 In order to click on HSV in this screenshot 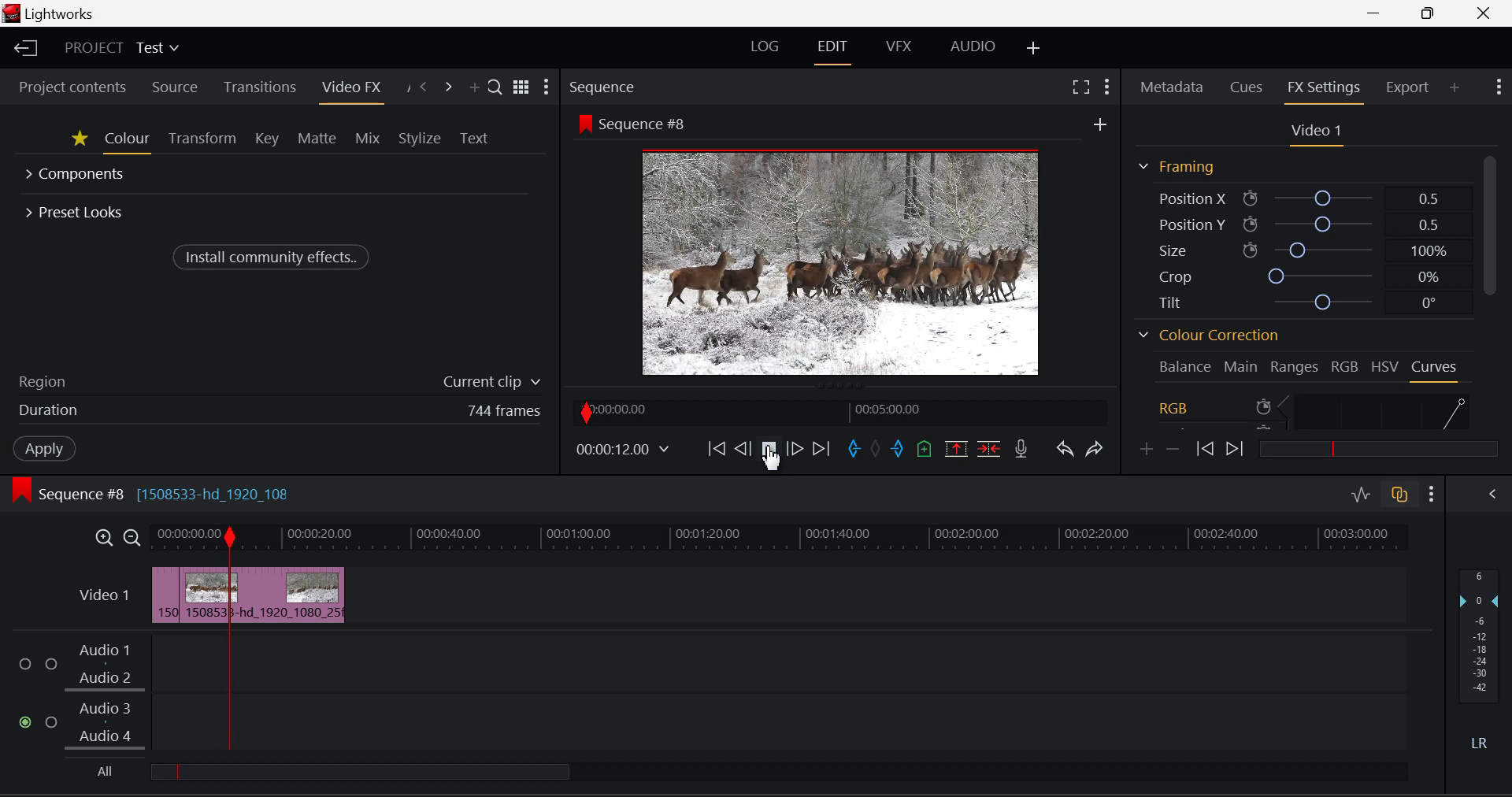, I will do `click(1387, 365)`.